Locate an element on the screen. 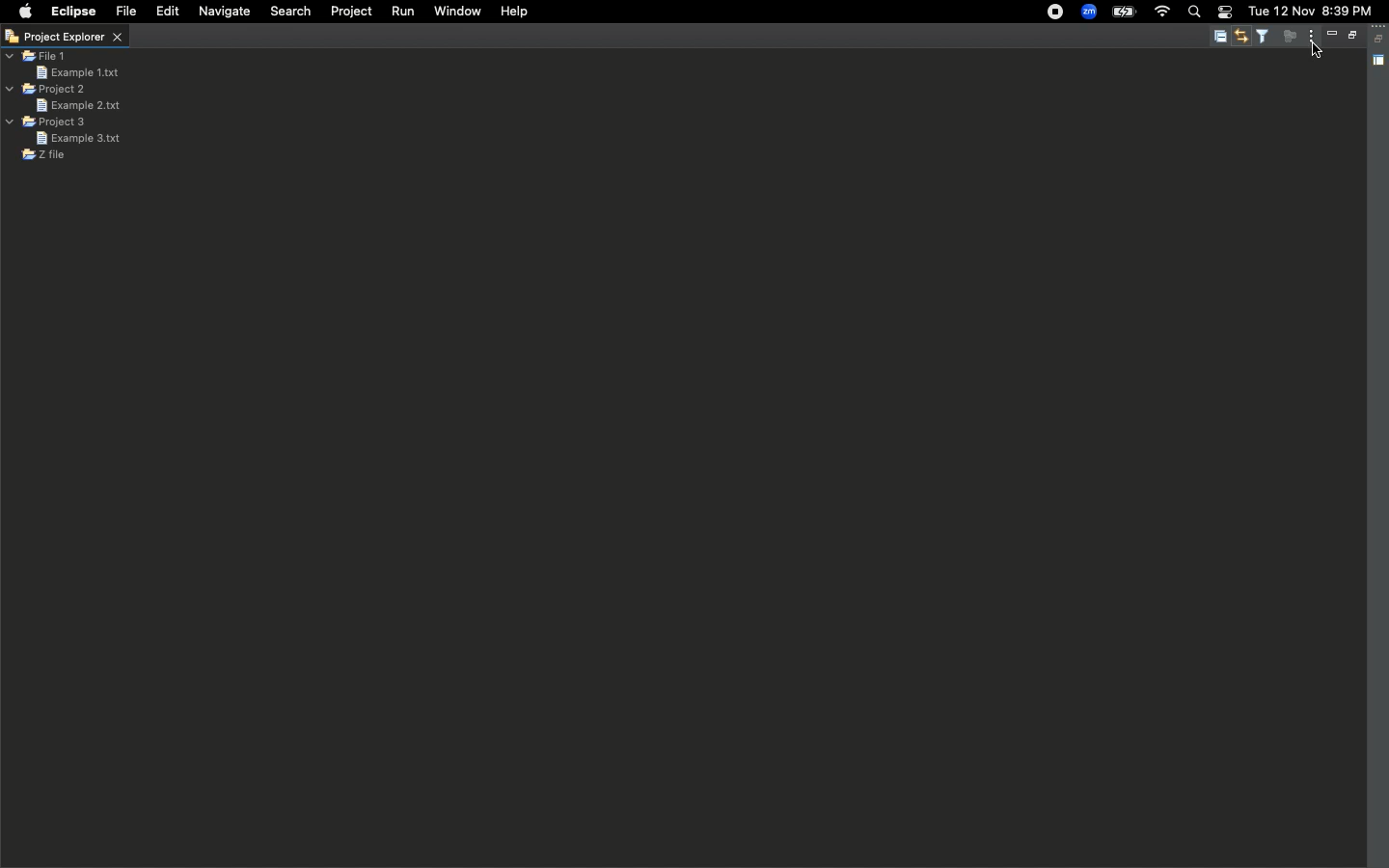 The width and height of the screenshot is (1389, 868). Run is located at coordinates (402, 12).